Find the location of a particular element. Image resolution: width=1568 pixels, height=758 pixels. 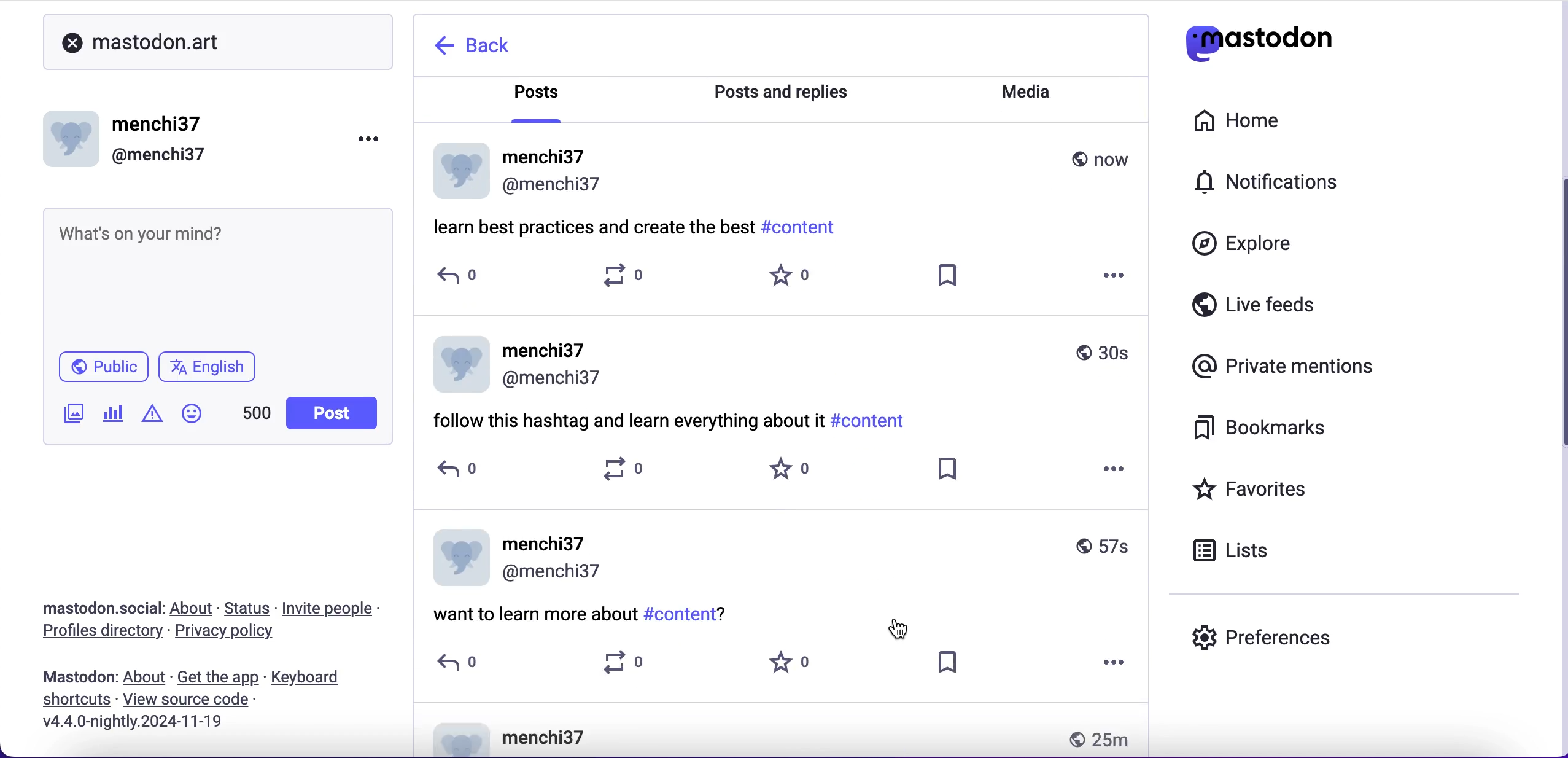

0 replies is located at coordinates (454, 279).